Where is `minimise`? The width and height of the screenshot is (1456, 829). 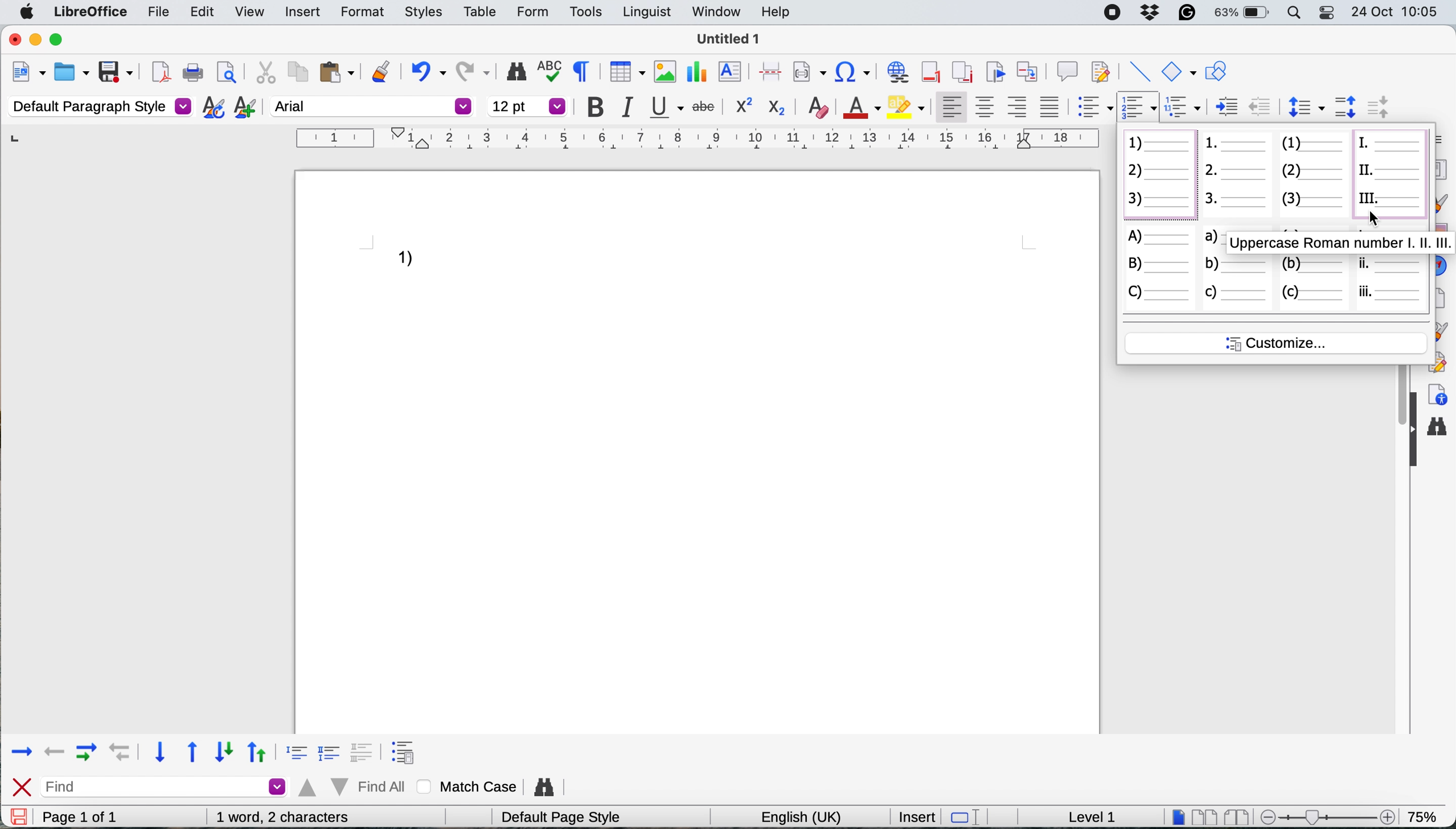
minimise is located at coordinates (36, 40).